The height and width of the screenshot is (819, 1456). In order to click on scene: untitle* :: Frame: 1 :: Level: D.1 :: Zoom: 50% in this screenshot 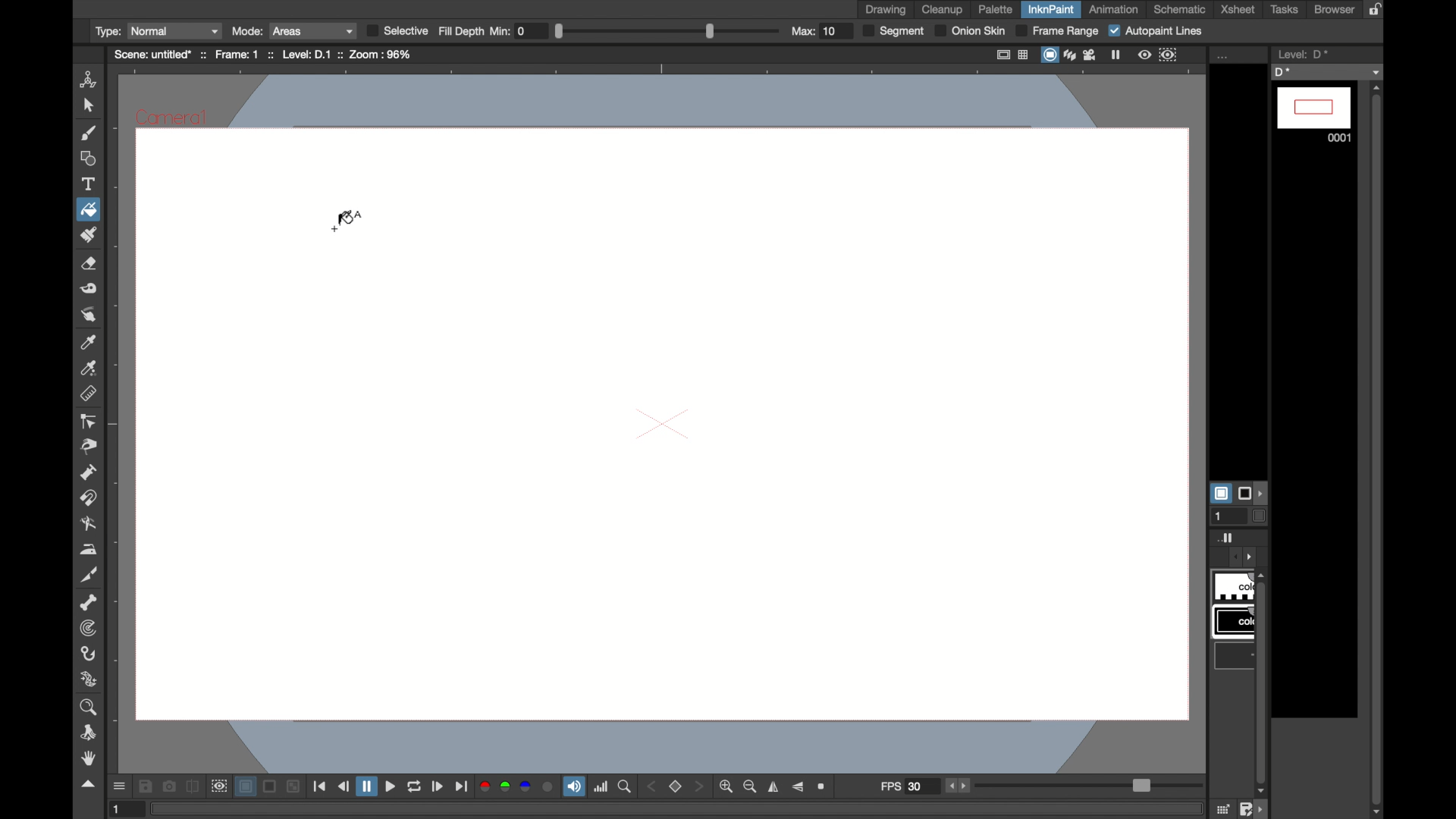, I will do `click(261, 55)`.